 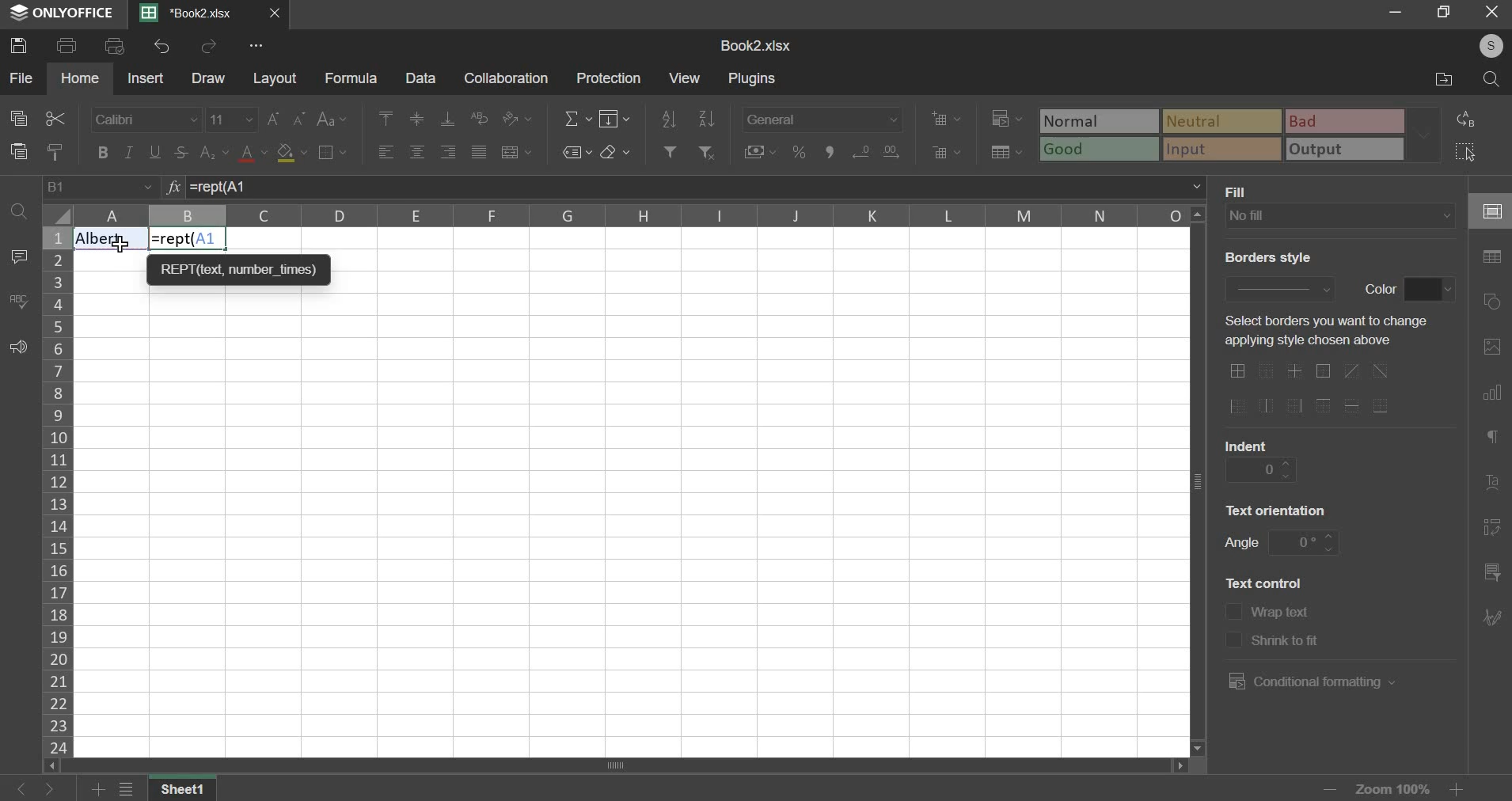 I want to click on close, so click(x=1491, y=13).